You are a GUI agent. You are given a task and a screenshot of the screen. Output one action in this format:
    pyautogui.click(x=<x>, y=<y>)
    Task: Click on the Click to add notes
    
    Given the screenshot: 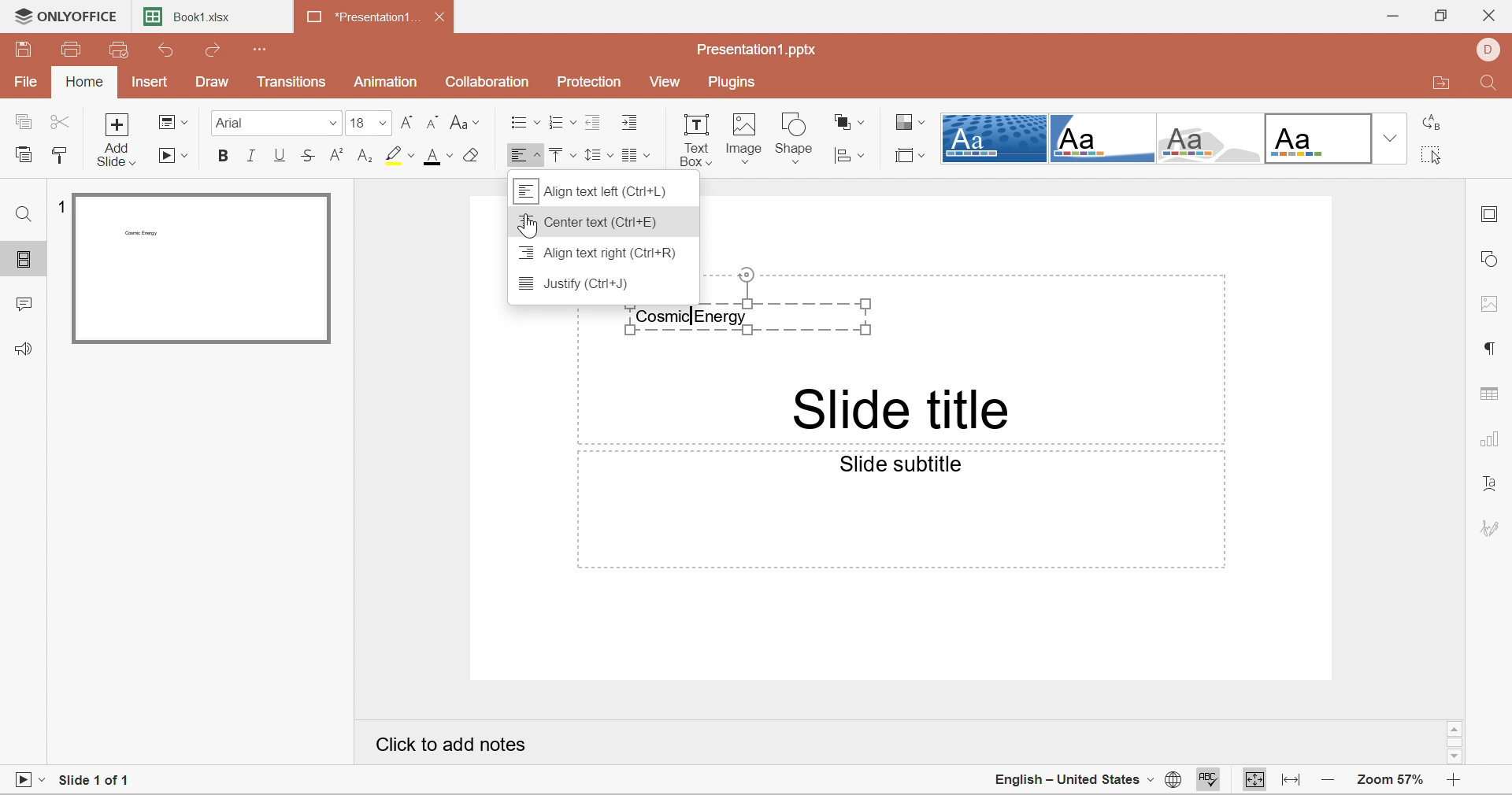 What is the action you would take?
    pyautogui.click(x=452, y=748)
    